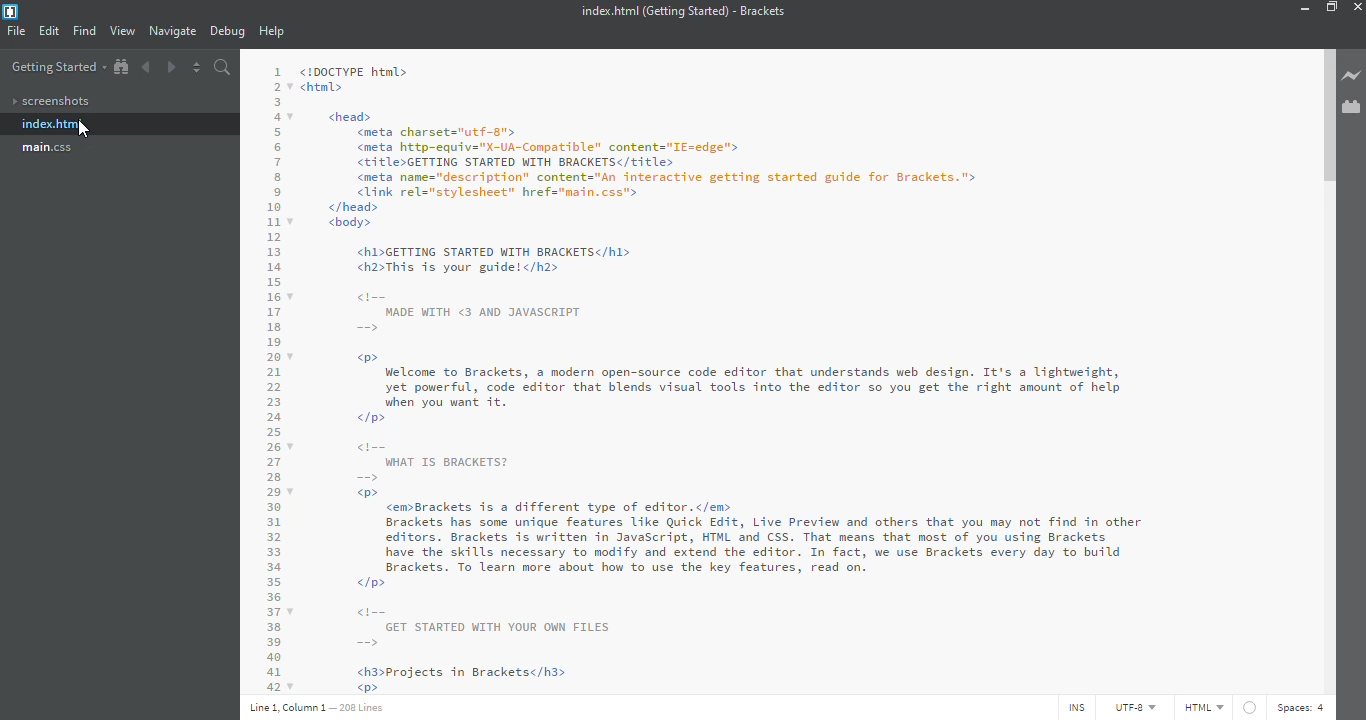 This screenshot has height=720, width=1366. Describe the element at coordinates (197, 67) in the screenshot. I see `split editor` at that location.